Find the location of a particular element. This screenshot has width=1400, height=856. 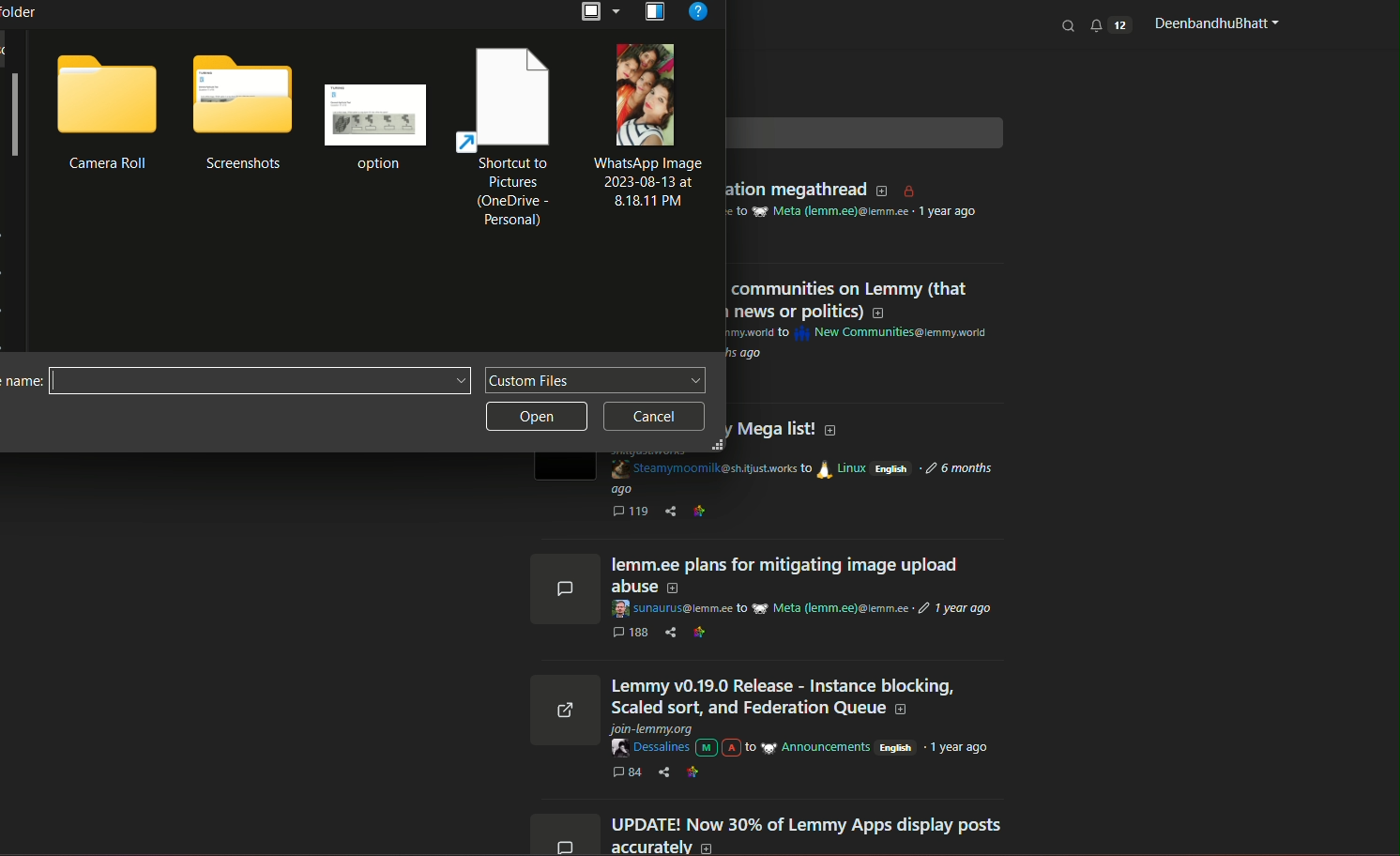

Posts is located at coordinates (810, 698).